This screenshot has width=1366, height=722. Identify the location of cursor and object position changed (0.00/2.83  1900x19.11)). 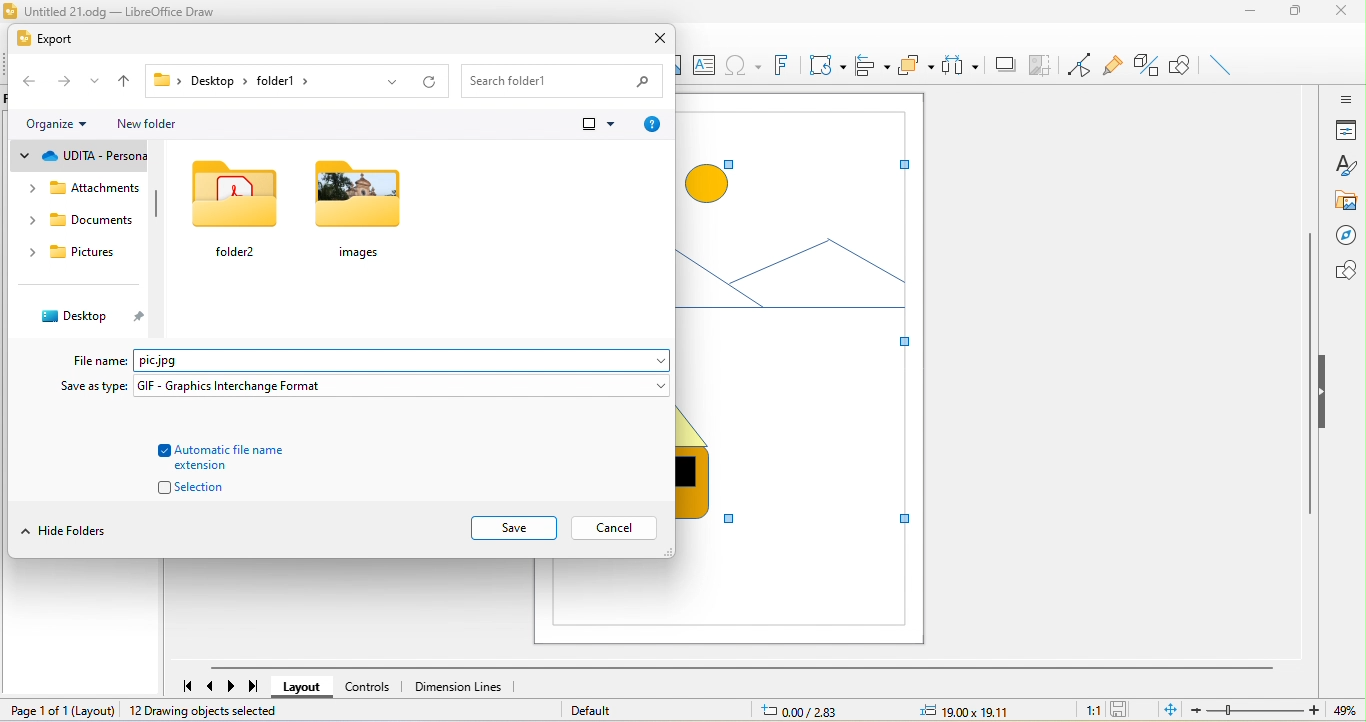
(895, 711).